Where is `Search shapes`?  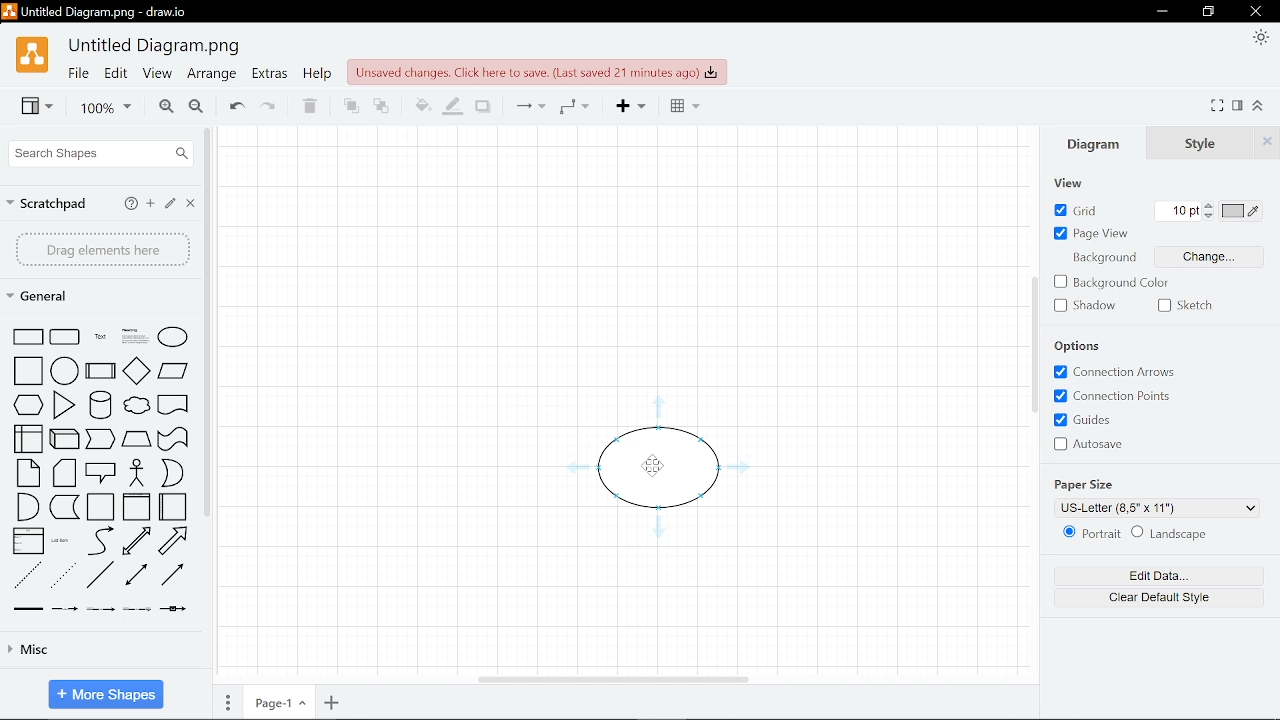 Search shapes is located at coordinates (103, 153).